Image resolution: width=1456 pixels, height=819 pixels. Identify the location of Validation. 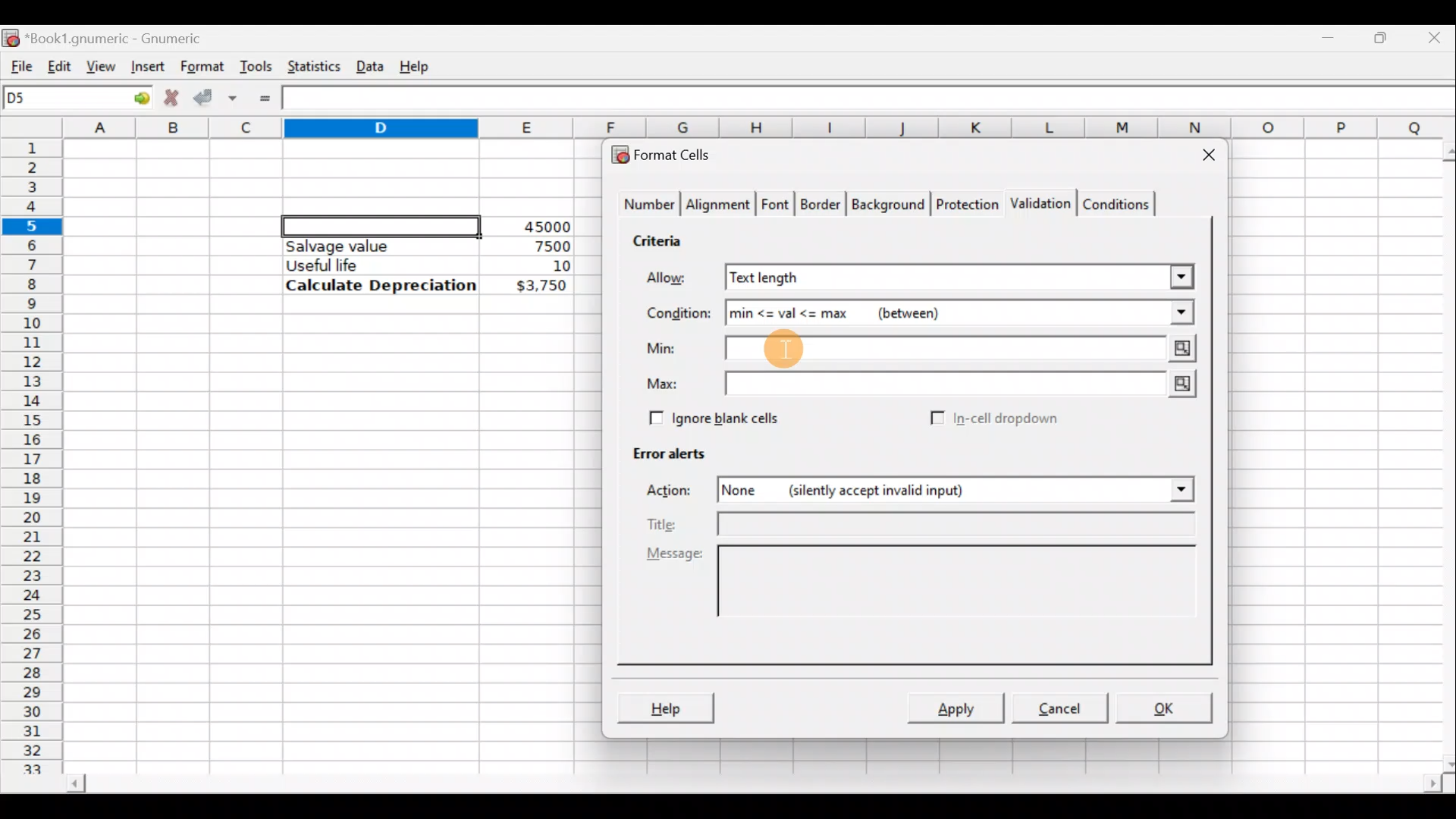
(1037, 205).